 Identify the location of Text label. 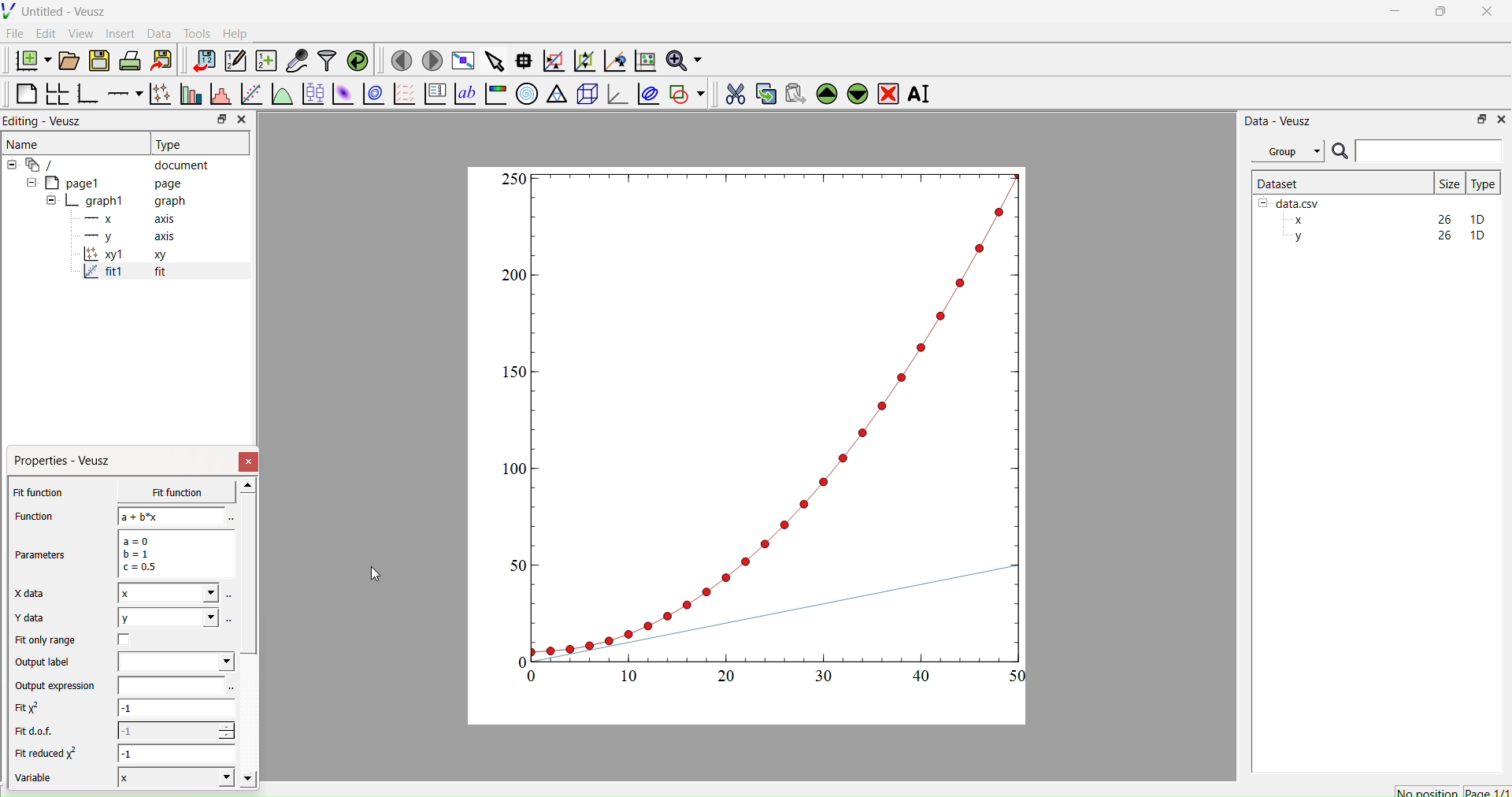
(464, 94).